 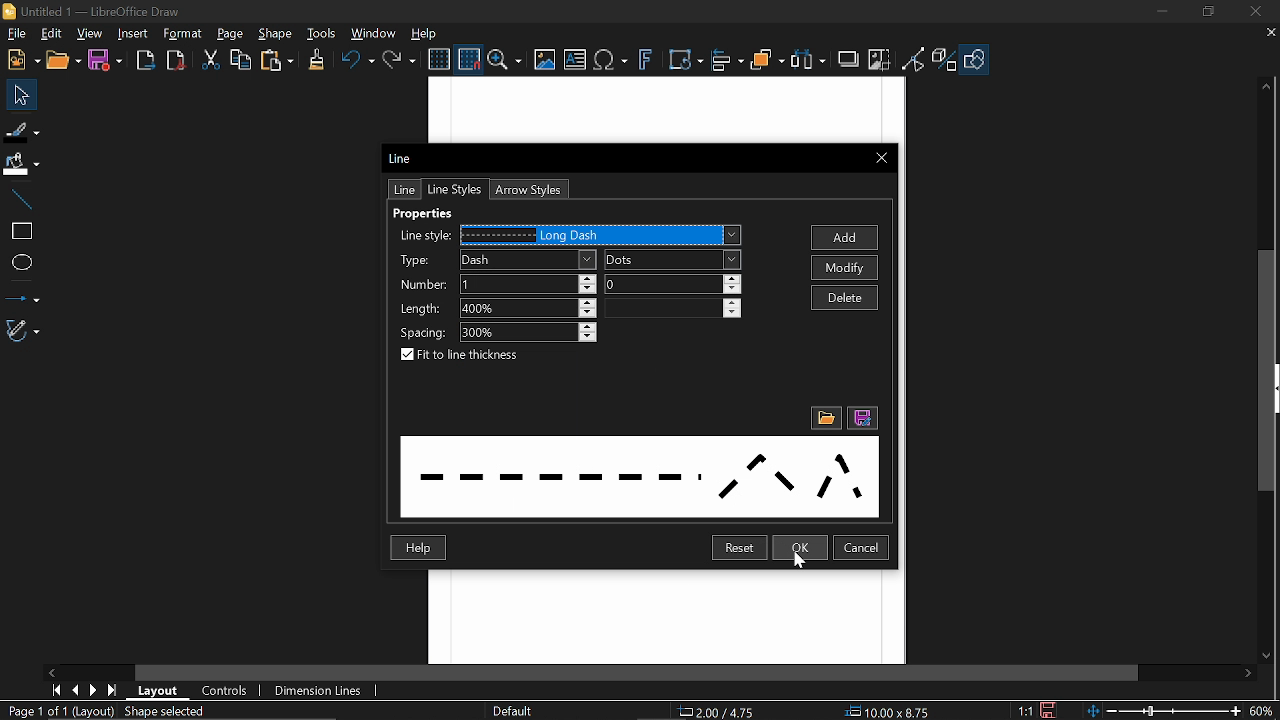 I want to click on Properties, so click(x=436, y=214).